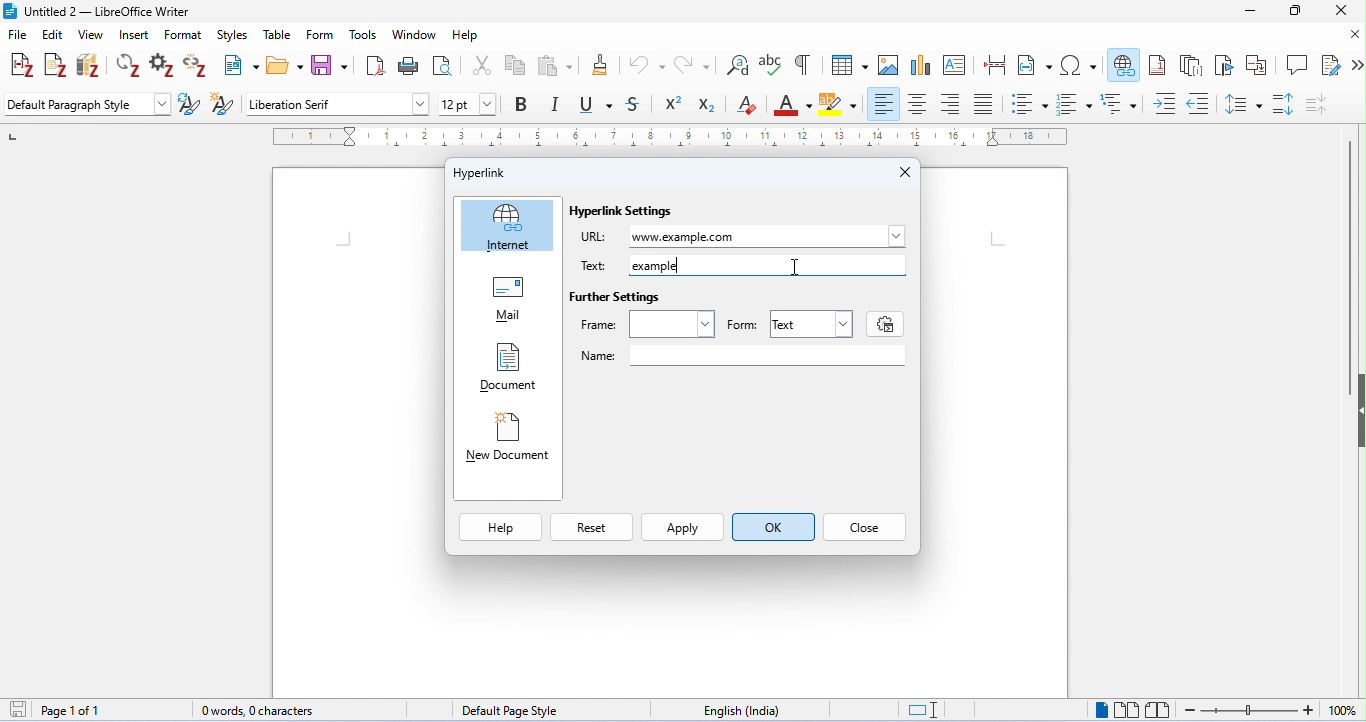 The width and height of the screenshot is (1366, 722). Describe the element at coordinates (596, 105) in the screenshot. I see `underline` at that location.